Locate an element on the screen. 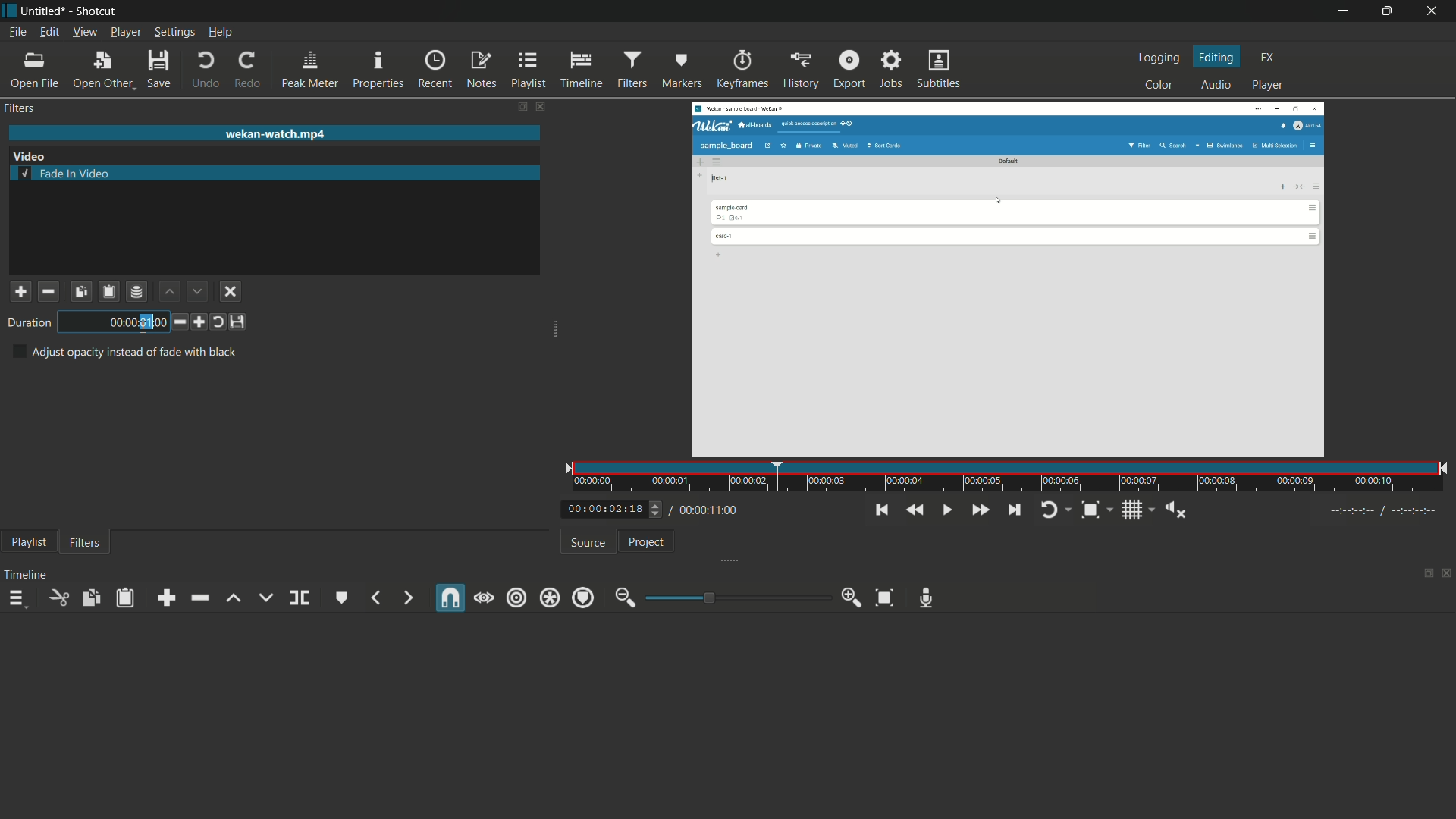 This screenshot has width=1456, height=819. fx is located at coordinates (1269, 58).